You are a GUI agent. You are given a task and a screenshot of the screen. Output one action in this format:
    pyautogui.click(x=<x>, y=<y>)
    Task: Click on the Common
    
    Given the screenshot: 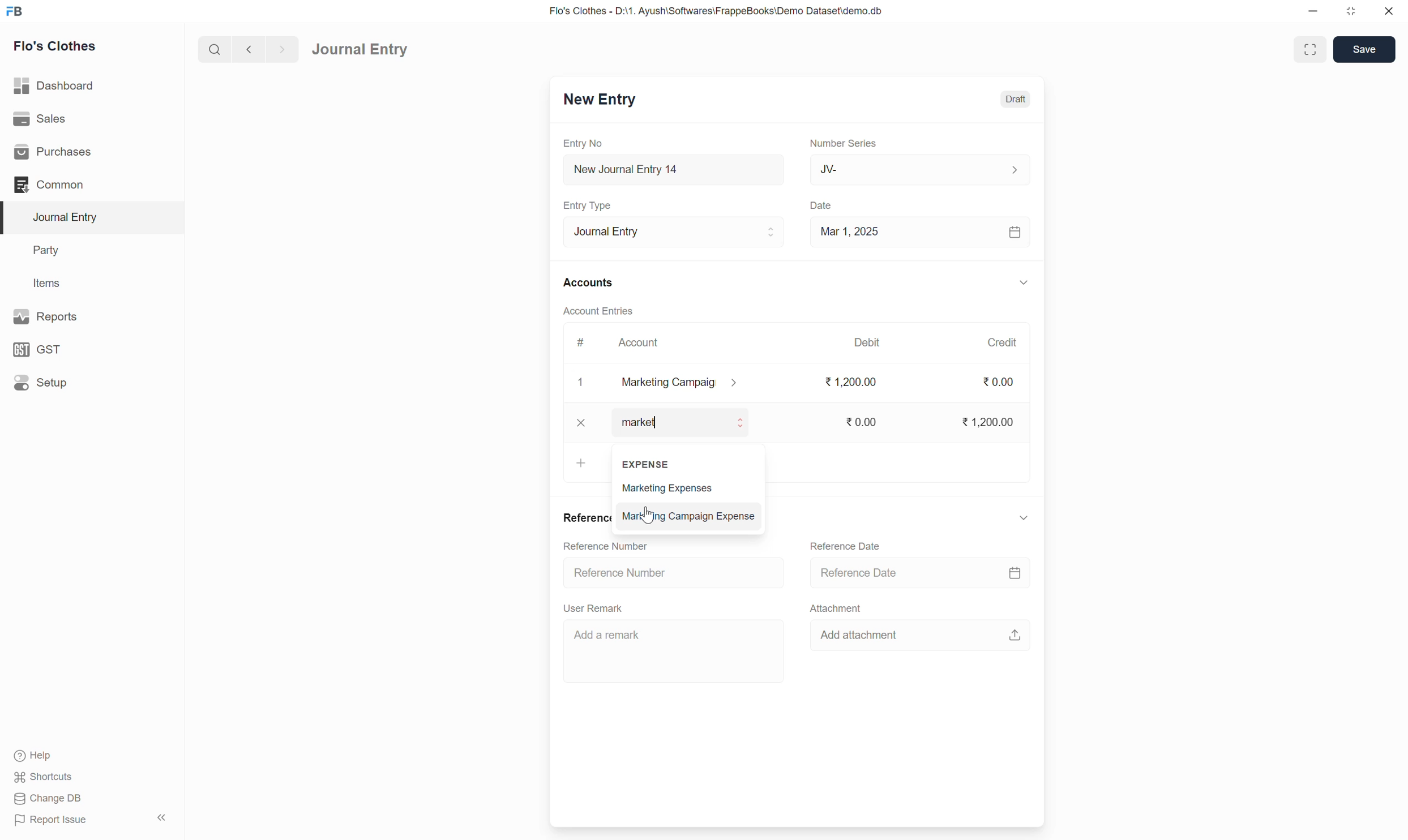 What is the action you would take?
    pyautogui.click(x=50, y=185)
    